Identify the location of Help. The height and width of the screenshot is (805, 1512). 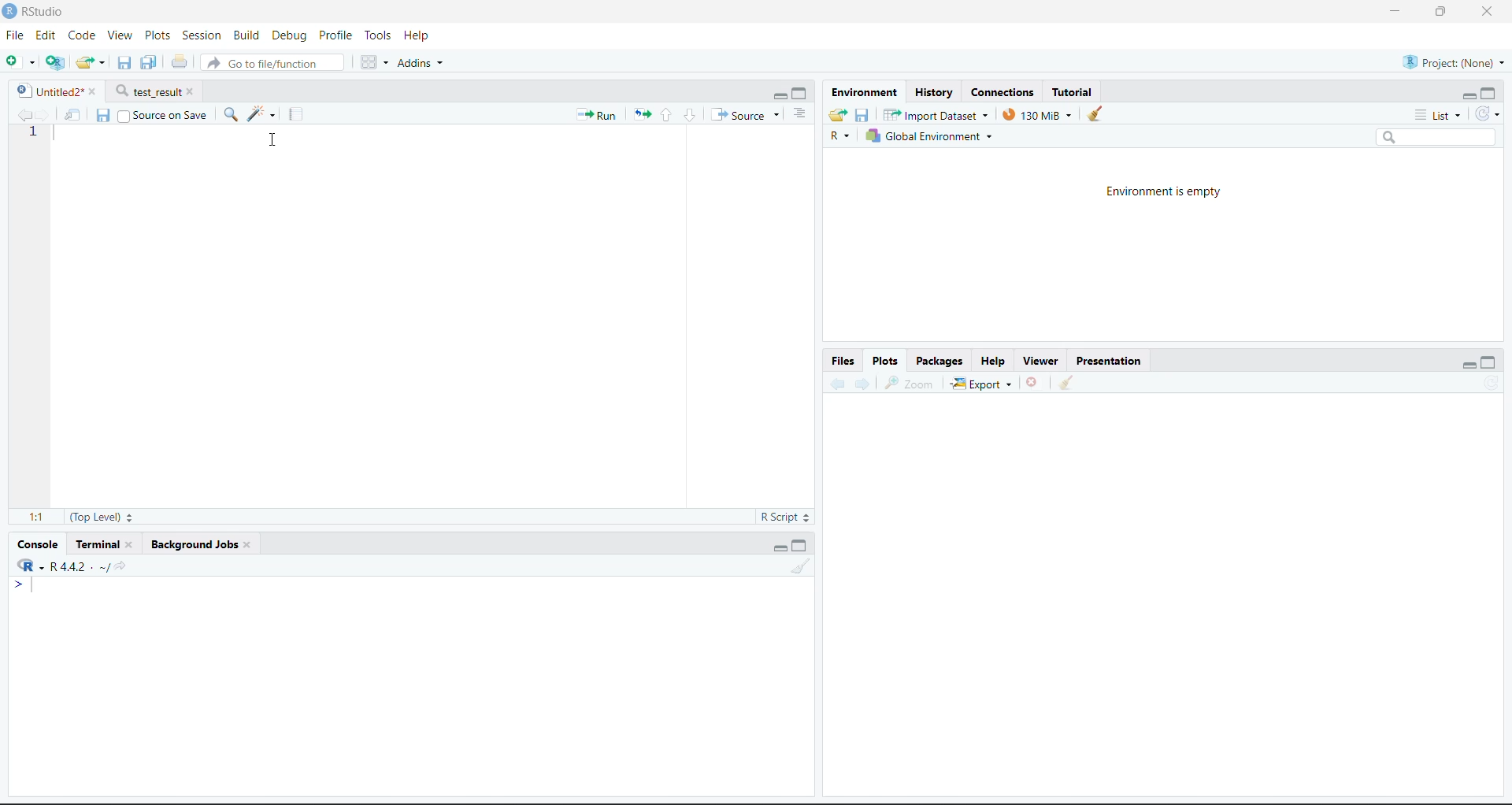
(422, 35).